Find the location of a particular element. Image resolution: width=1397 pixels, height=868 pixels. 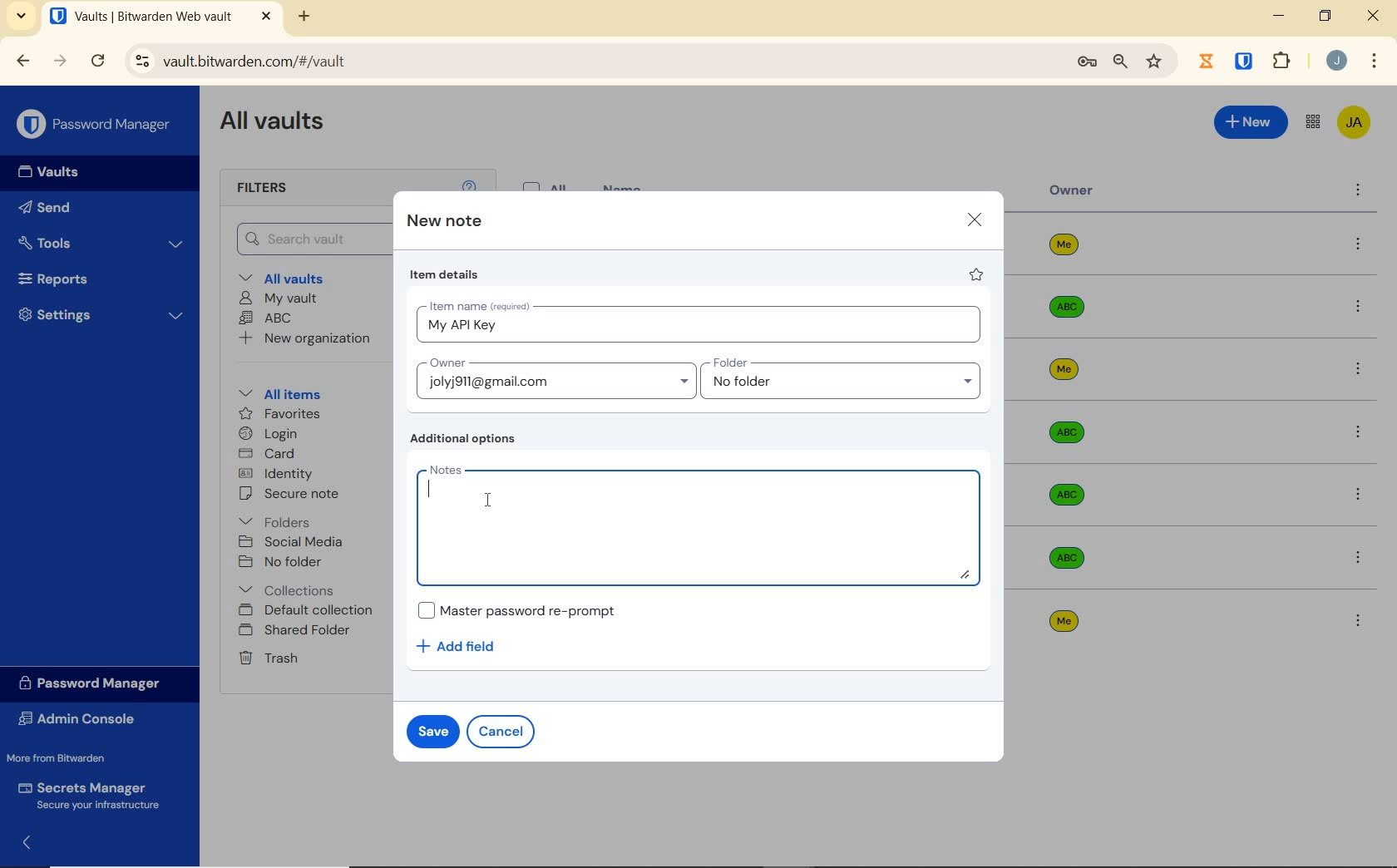

bookmark is located at coordinates (1154, 62).